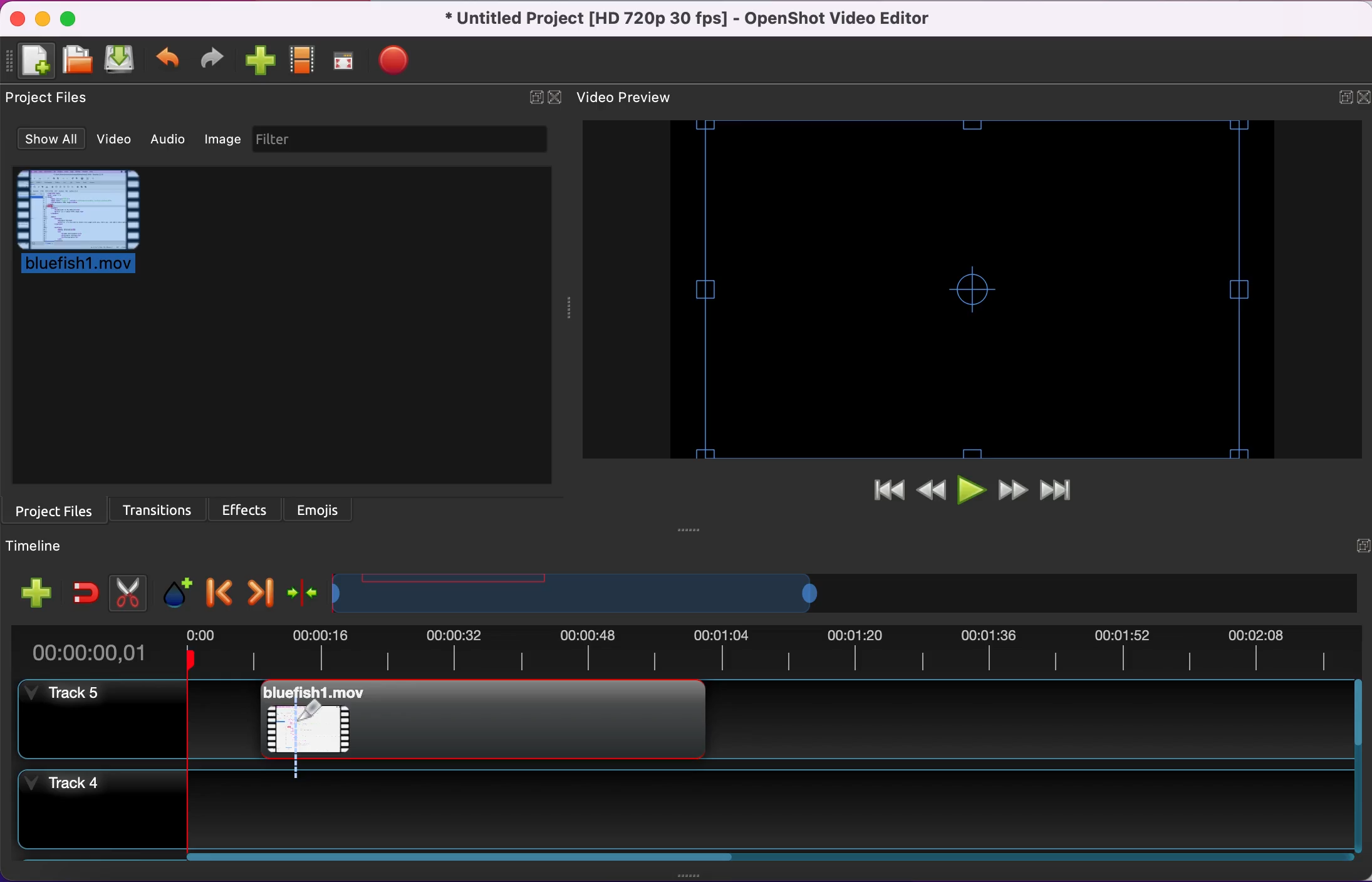 This screenshot has width=1372, height=882. Describe the element at coordinates (83, 588) in the screenshot. I see `enable snapping` at that location.